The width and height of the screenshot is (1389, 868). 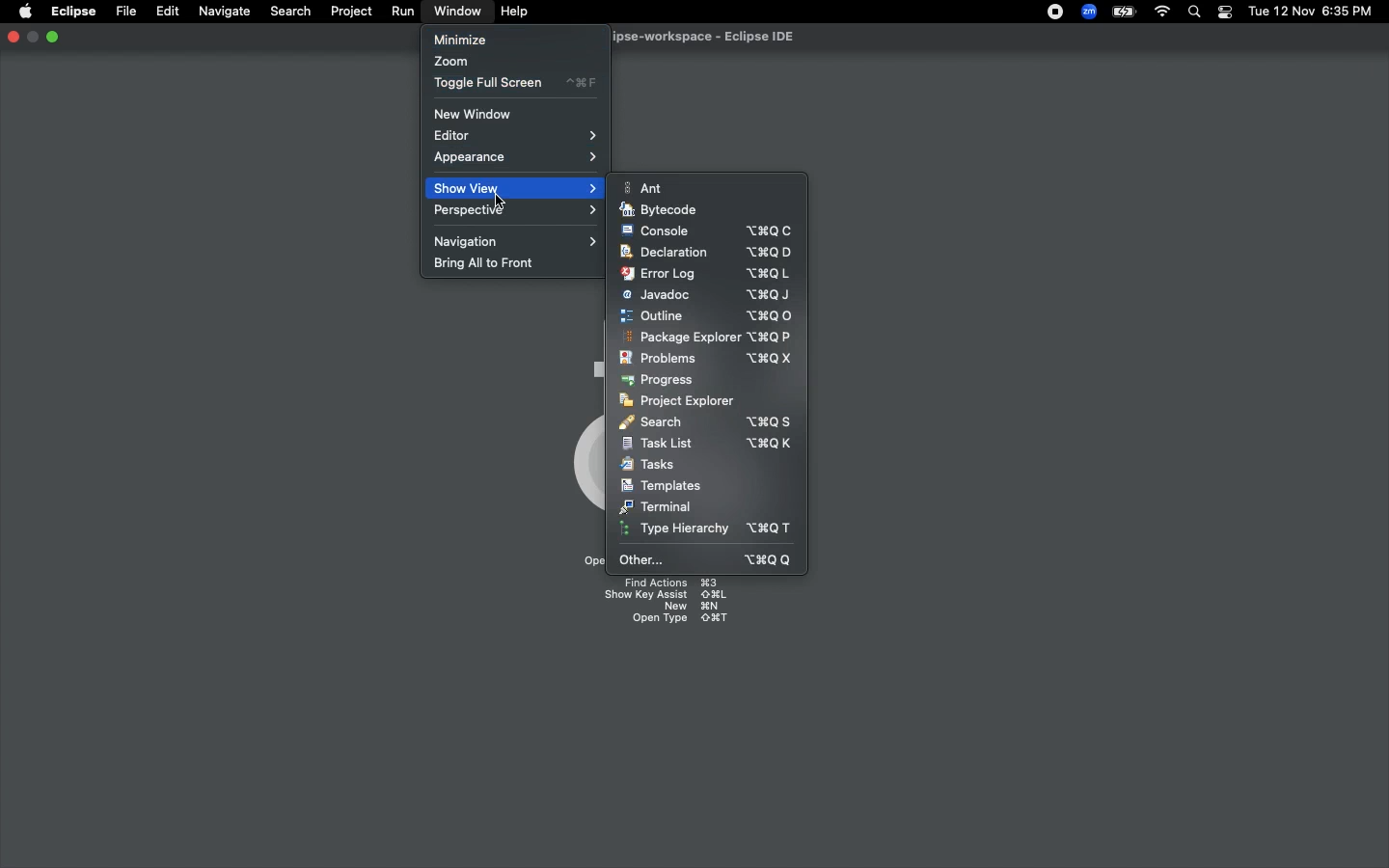 I want to click on Bring all to front, so click(x=493, y=264).